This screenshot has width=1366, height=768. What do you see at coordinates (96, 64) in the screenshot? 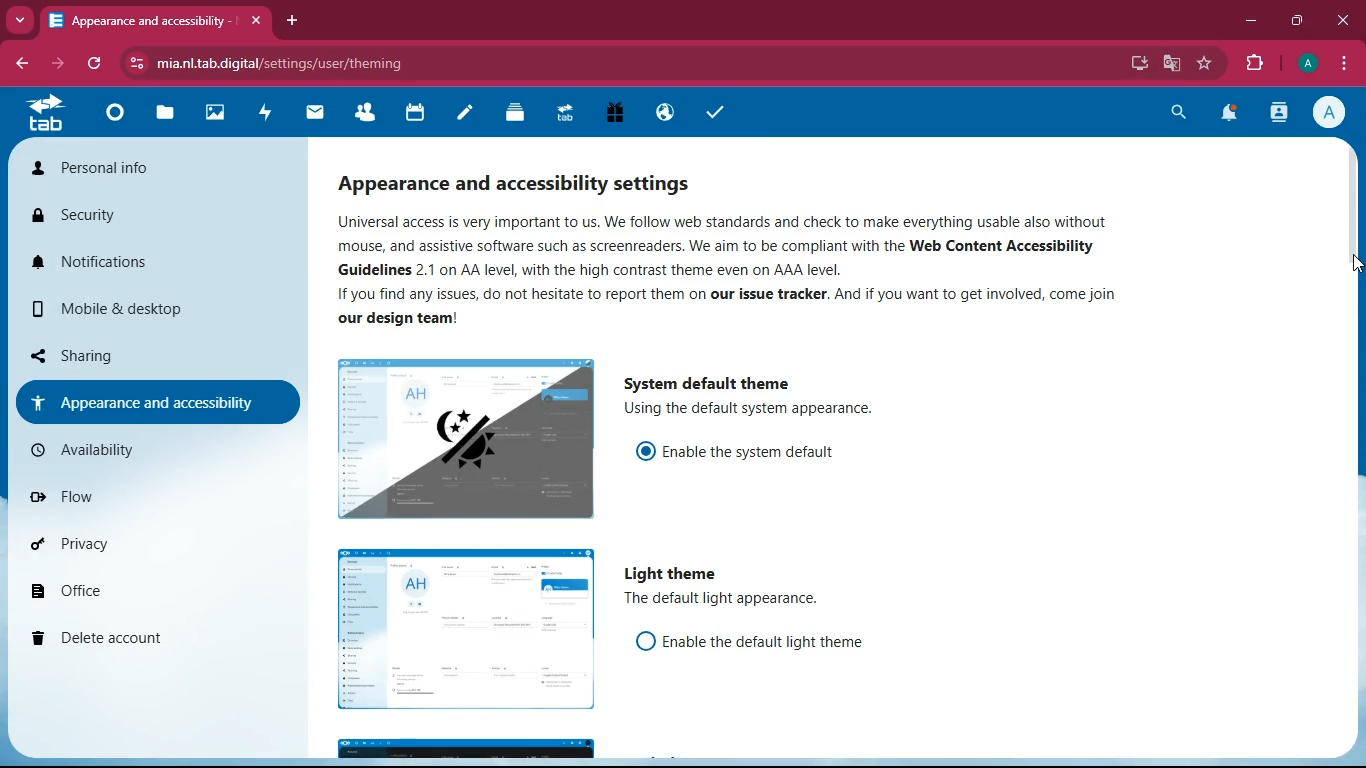
I see `refresh` at bounding box center [96, 64].